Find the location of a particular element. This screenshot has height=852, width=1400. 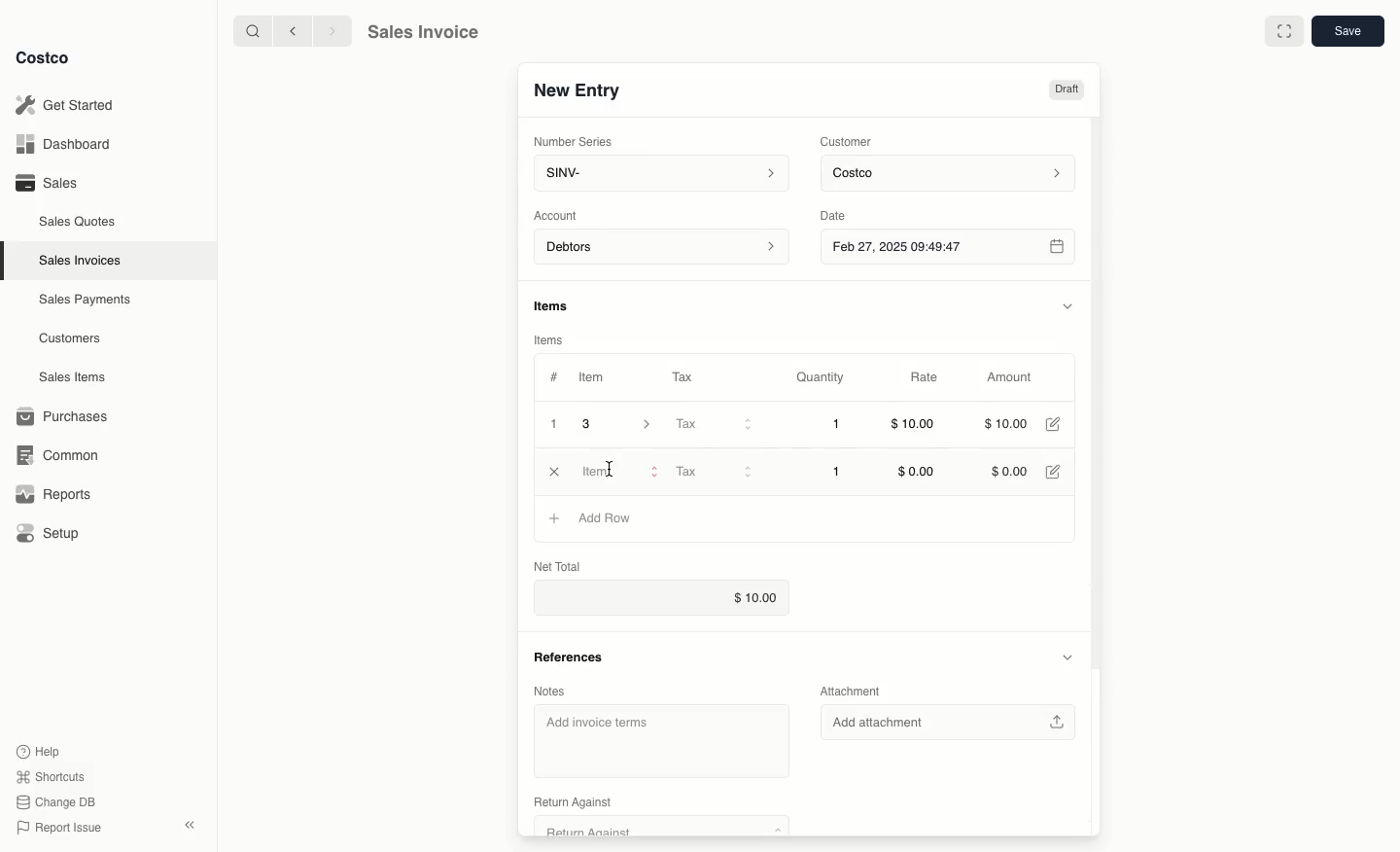

$10.00 is located at coordinates (1010, 423).